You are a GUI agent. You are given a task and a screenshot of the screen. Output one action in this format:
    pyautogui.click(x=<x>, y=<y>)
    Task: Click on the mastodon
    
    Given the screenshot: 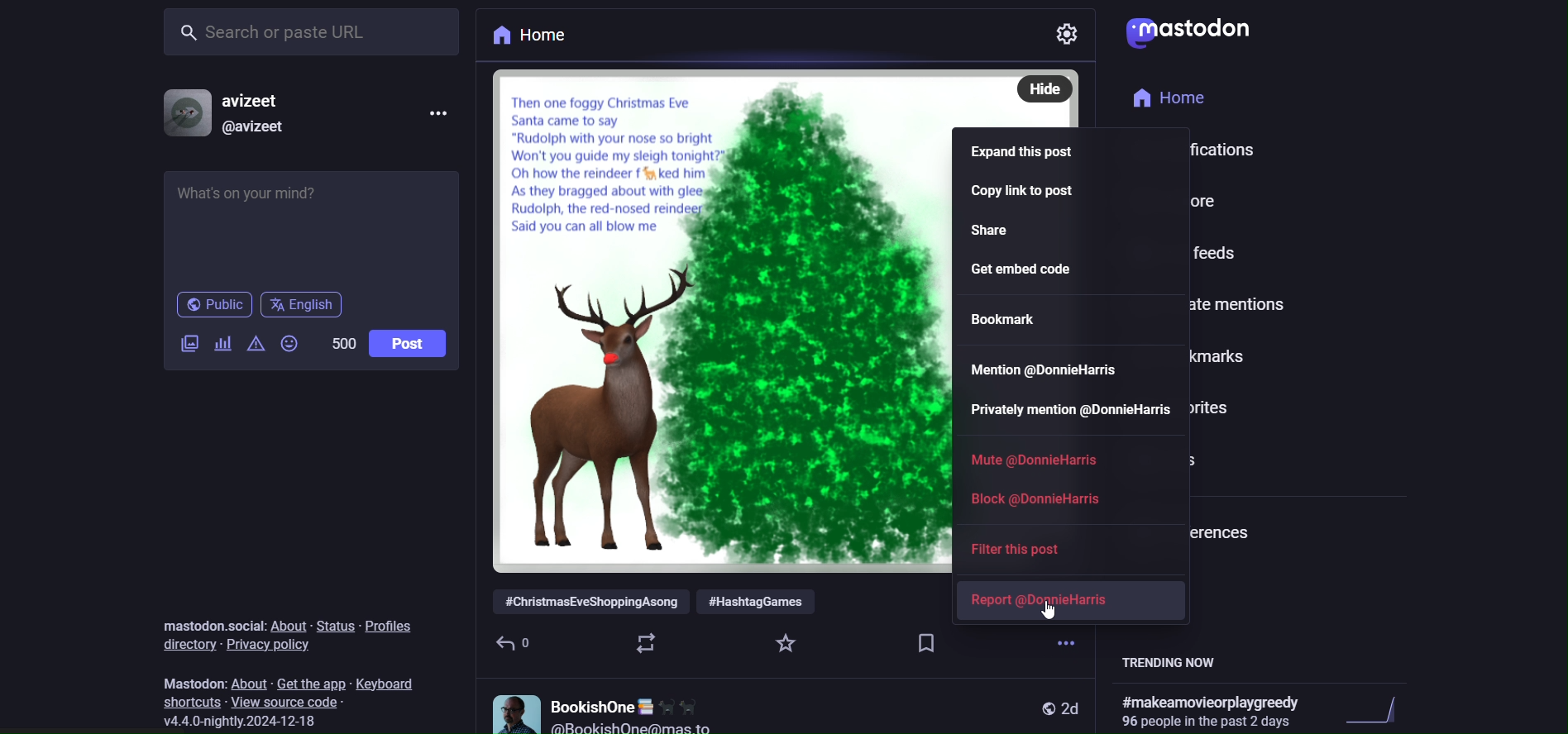 What is the action you would take?
    pyautogui.click(x=1187, y=30)
    